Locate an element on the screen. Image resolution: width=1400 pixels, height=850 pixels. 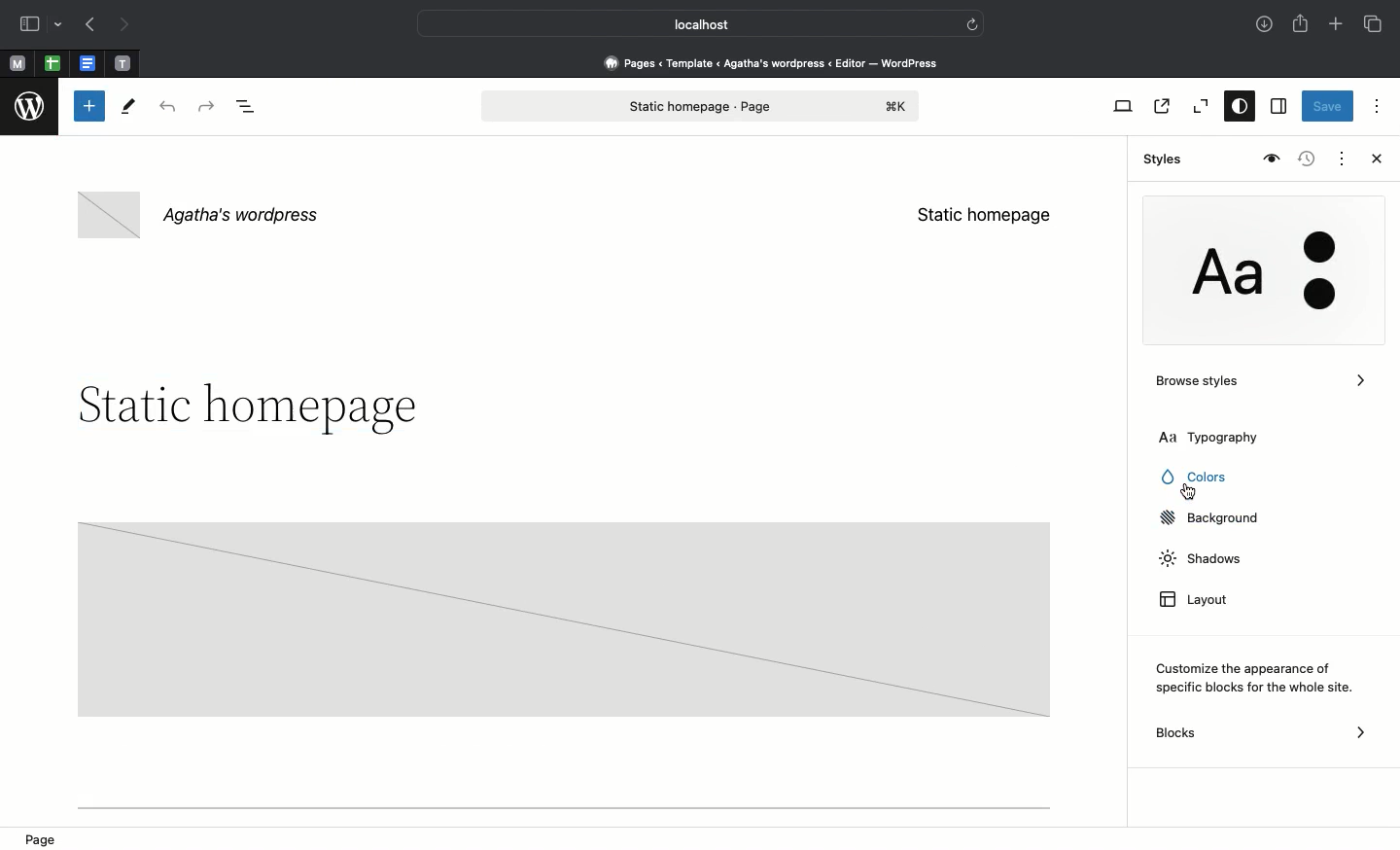
Blocks is located at coordinates (1263, 733).